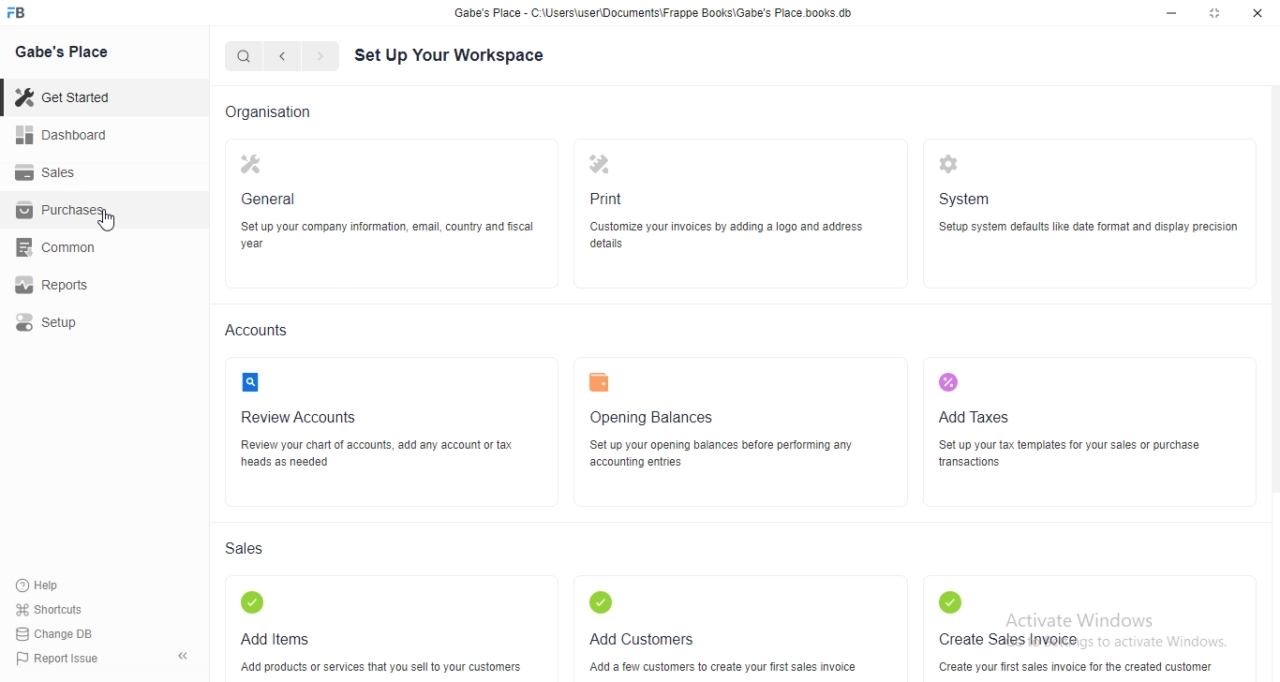 This screenshot has height=682, width=1280. I want to click on Change dimension, so click(1215, 13).